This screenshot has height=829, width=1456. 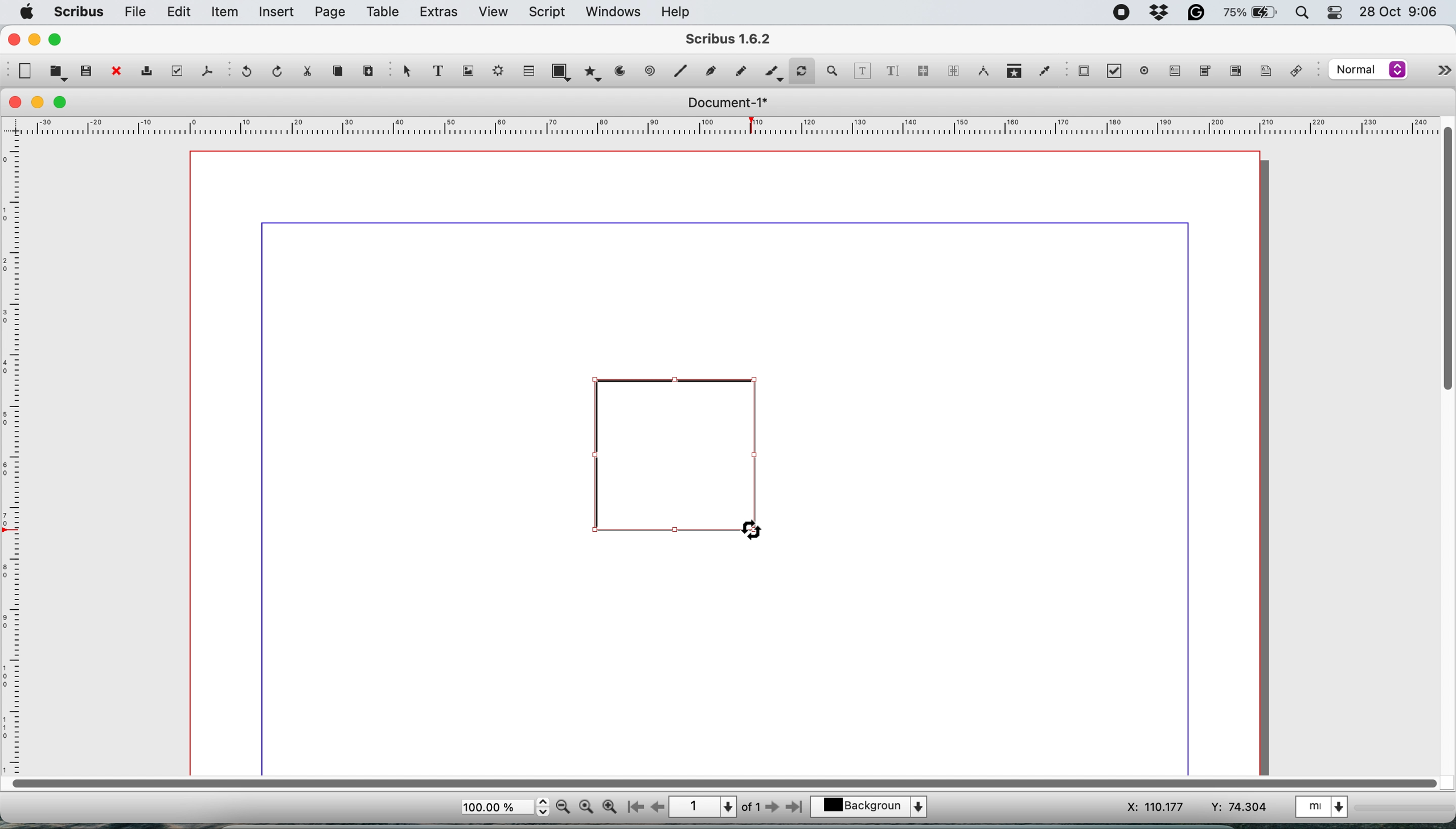 I want to click on link text frame, so click(x=925, y=71).